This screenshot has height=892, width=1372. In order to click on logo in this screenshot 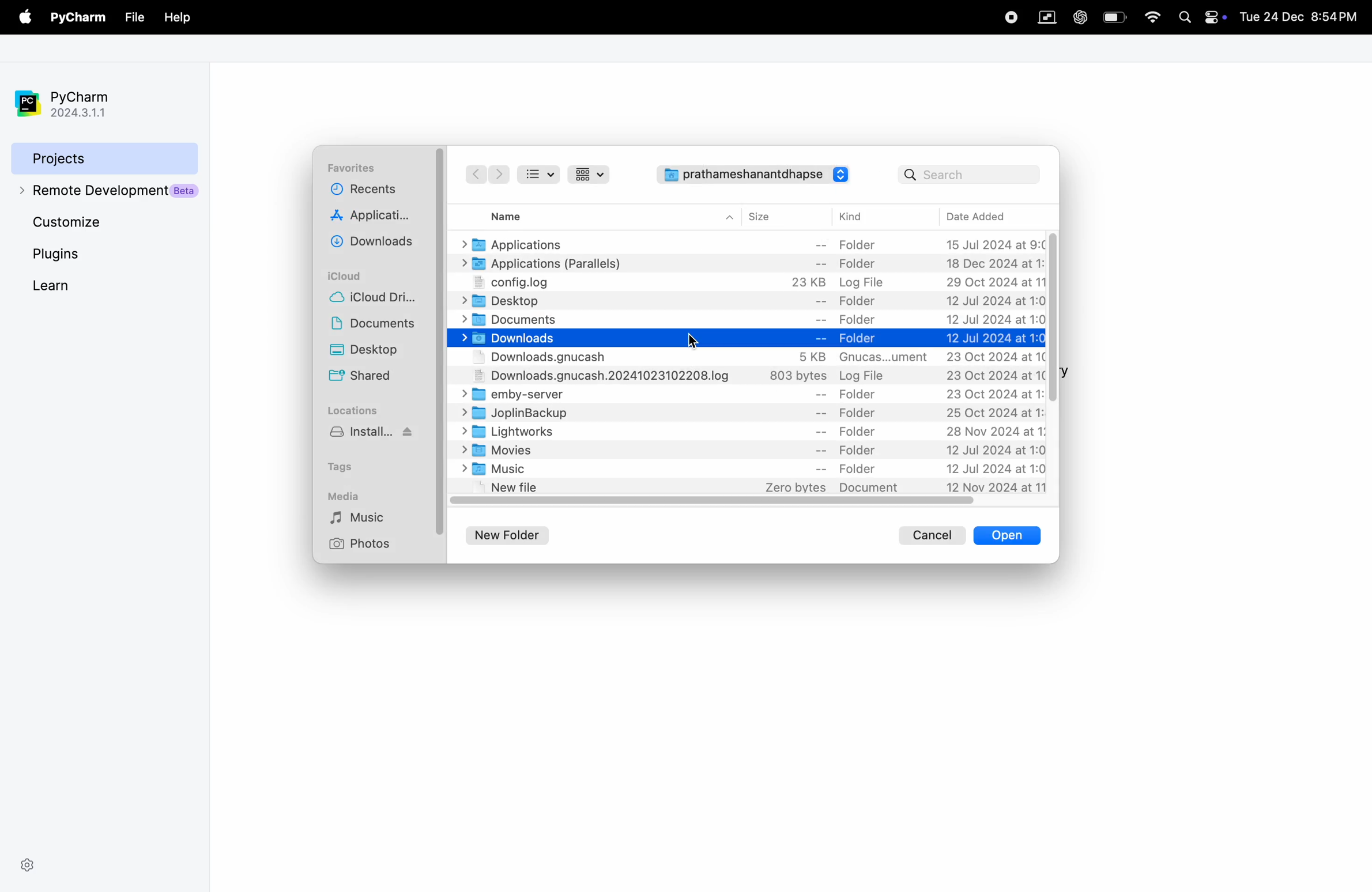, I will do `click(843, 175)`.